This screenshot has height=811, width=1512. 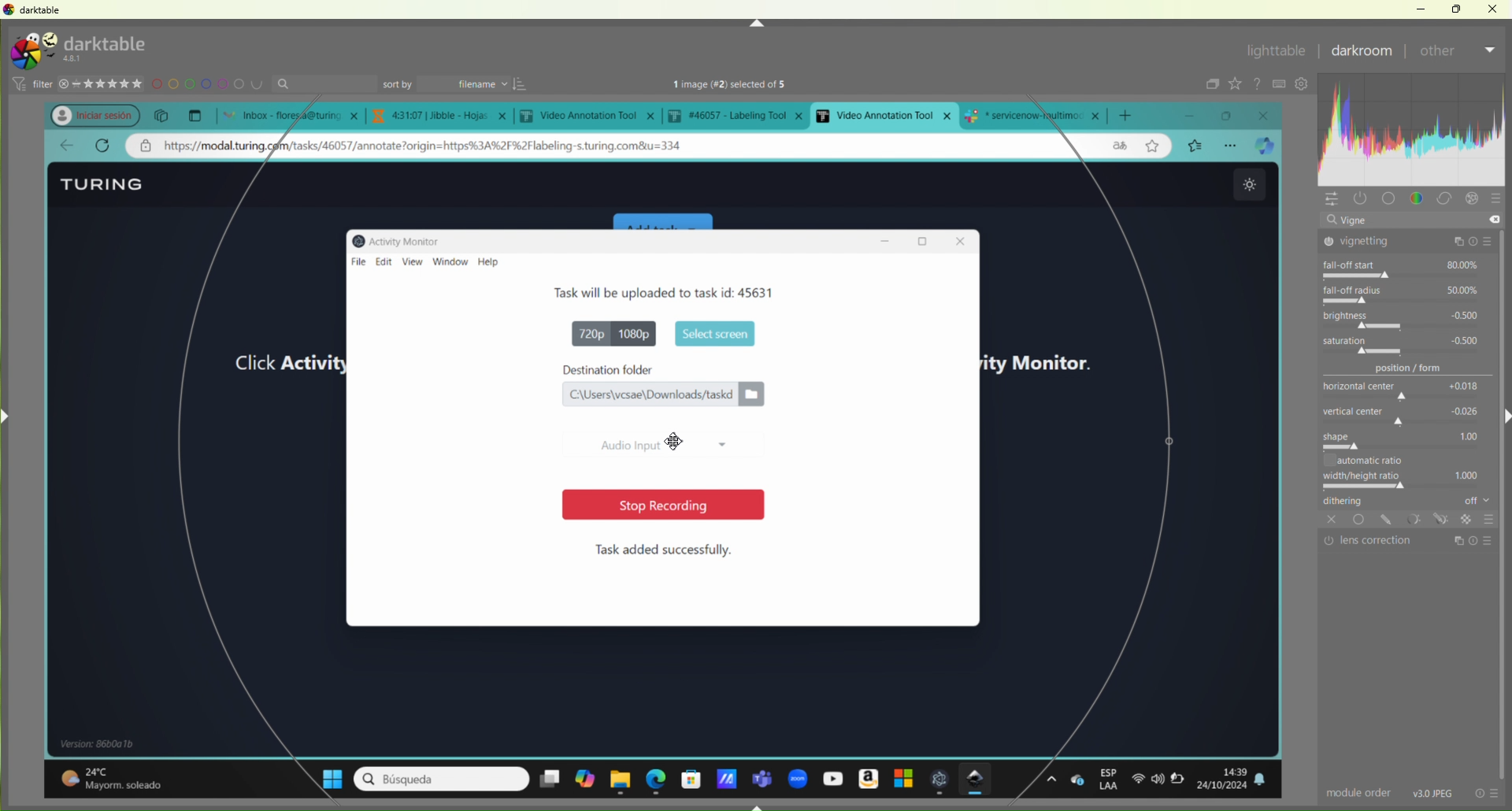 What do you see at coordinates (1429, 792) in the screenshot?
I see `v30 jpeg` at bounding box center [1429, 792].